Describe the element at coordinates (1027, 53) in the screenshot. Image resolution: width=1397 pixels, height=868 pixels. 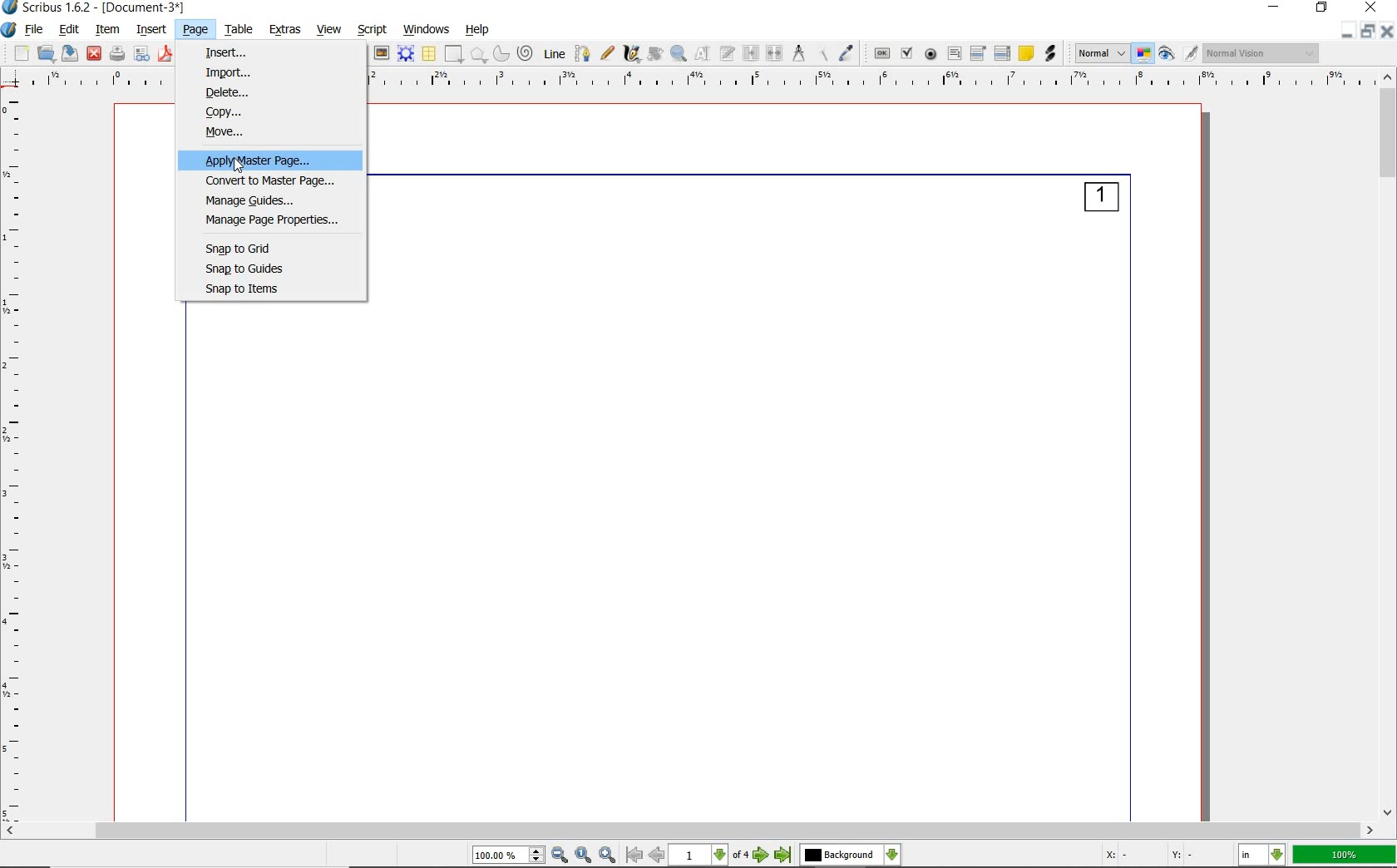
I see `text annotation` at that location.